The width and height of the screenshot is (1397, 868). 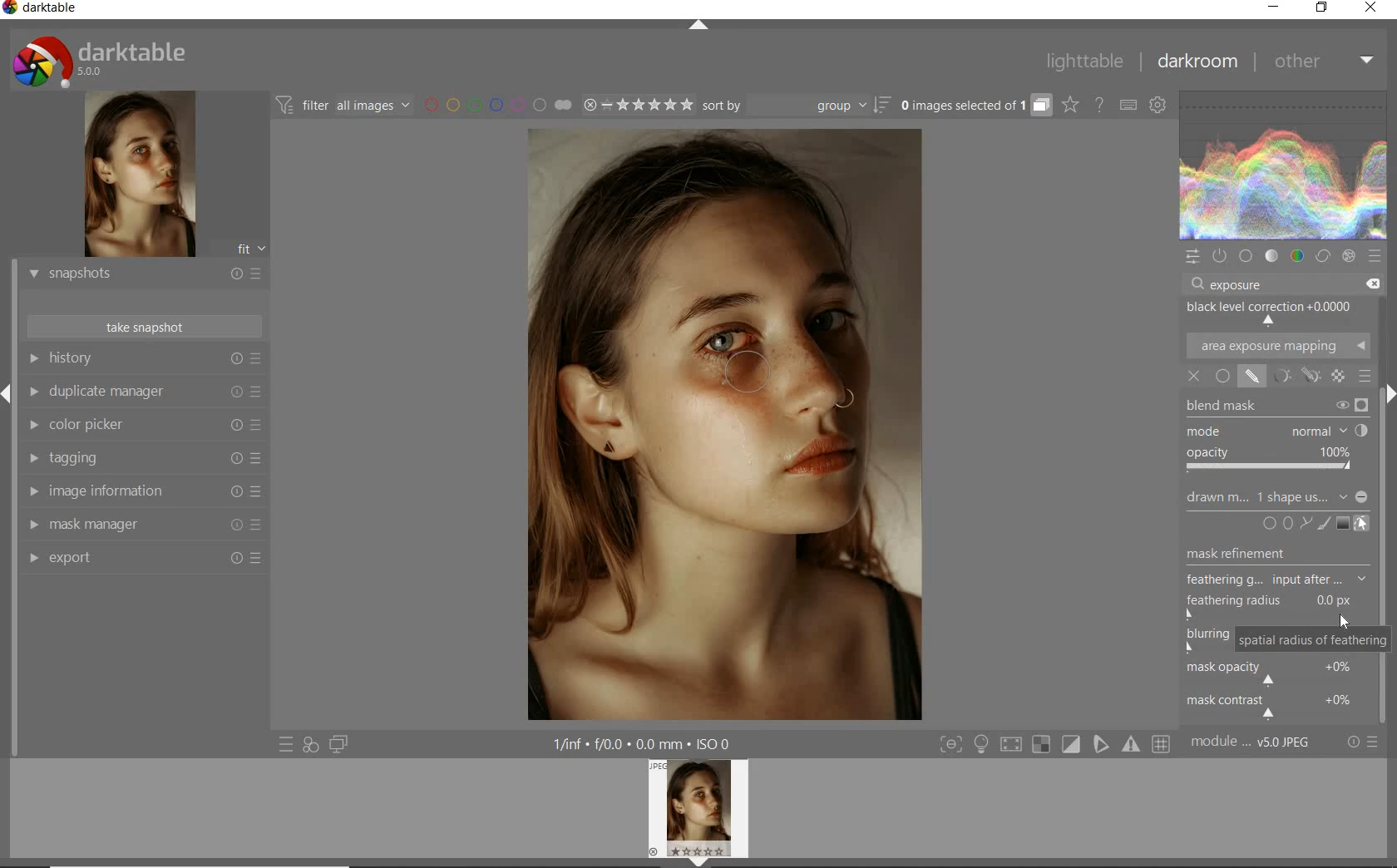 What do you see at coordinates (1244, 284) in the screenshot?
I see `INPUT VALUE` at bounding box center [1244, 284].